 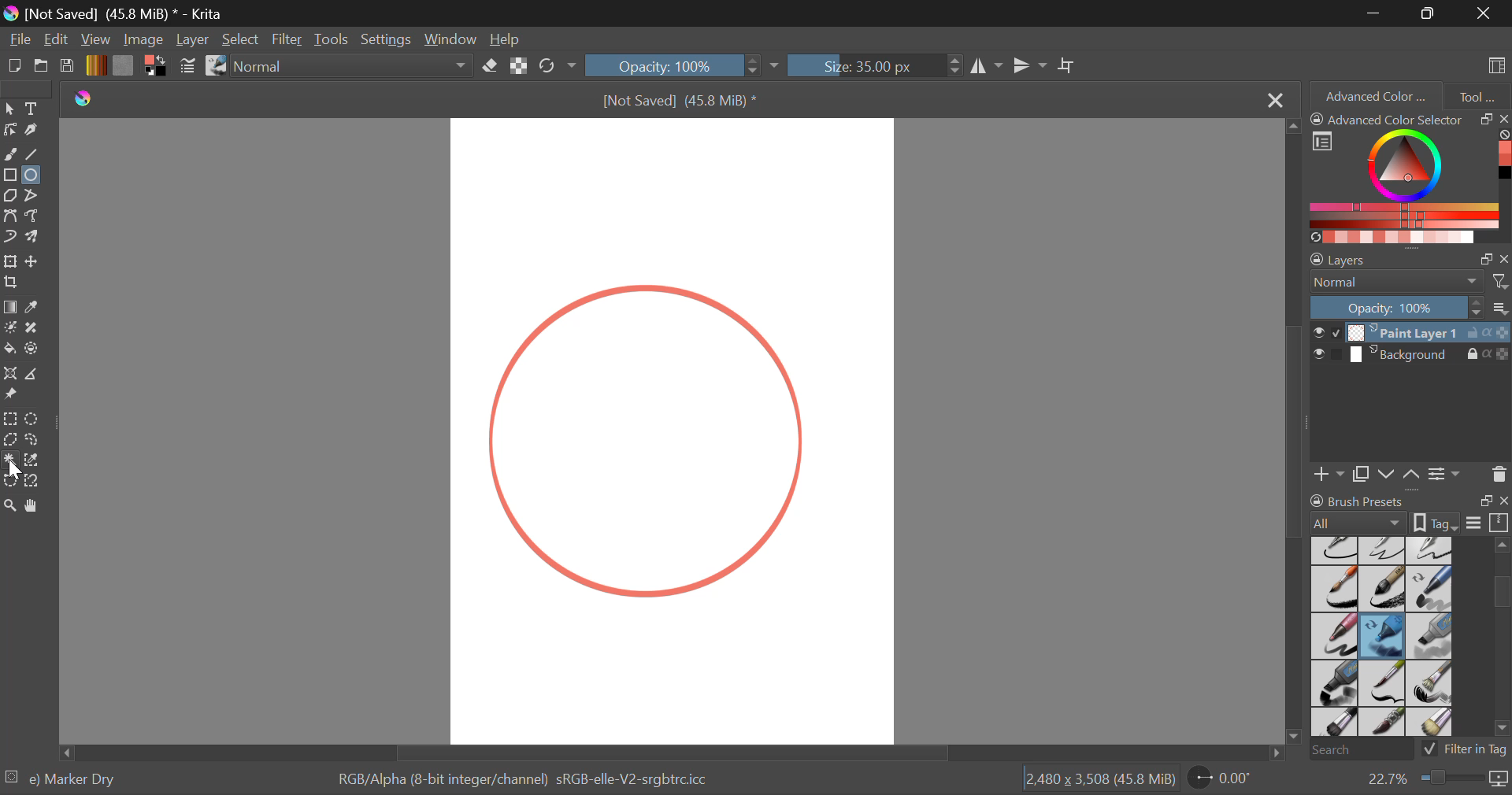 What do you see at coordinates (9, 261) in the screenshot?
I see `Transform a layer` at bounding box center [9, 261].